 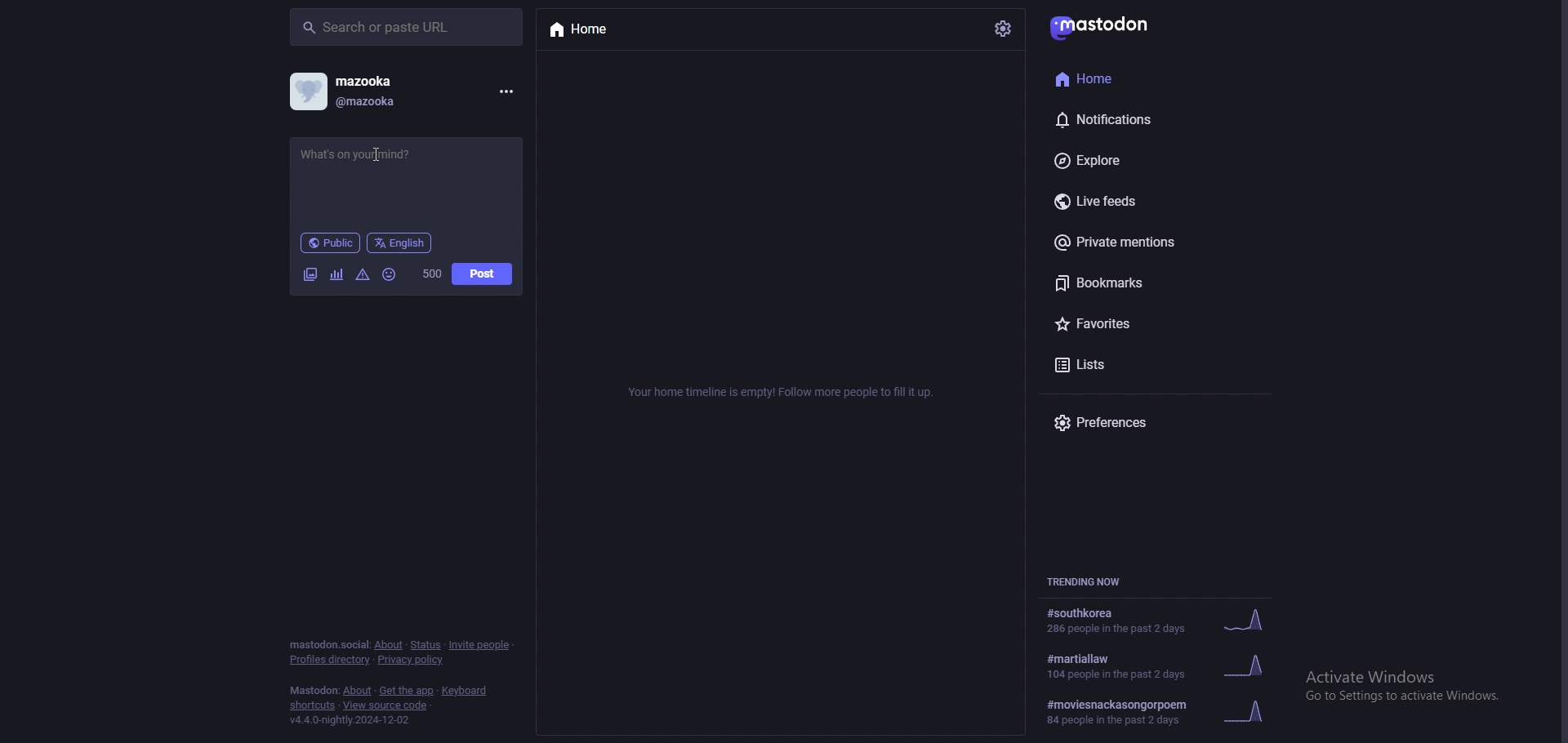 What do you see at coordinates (481, 646) in the screenshot?
I see `invite people` at bounding box center [481, 646].